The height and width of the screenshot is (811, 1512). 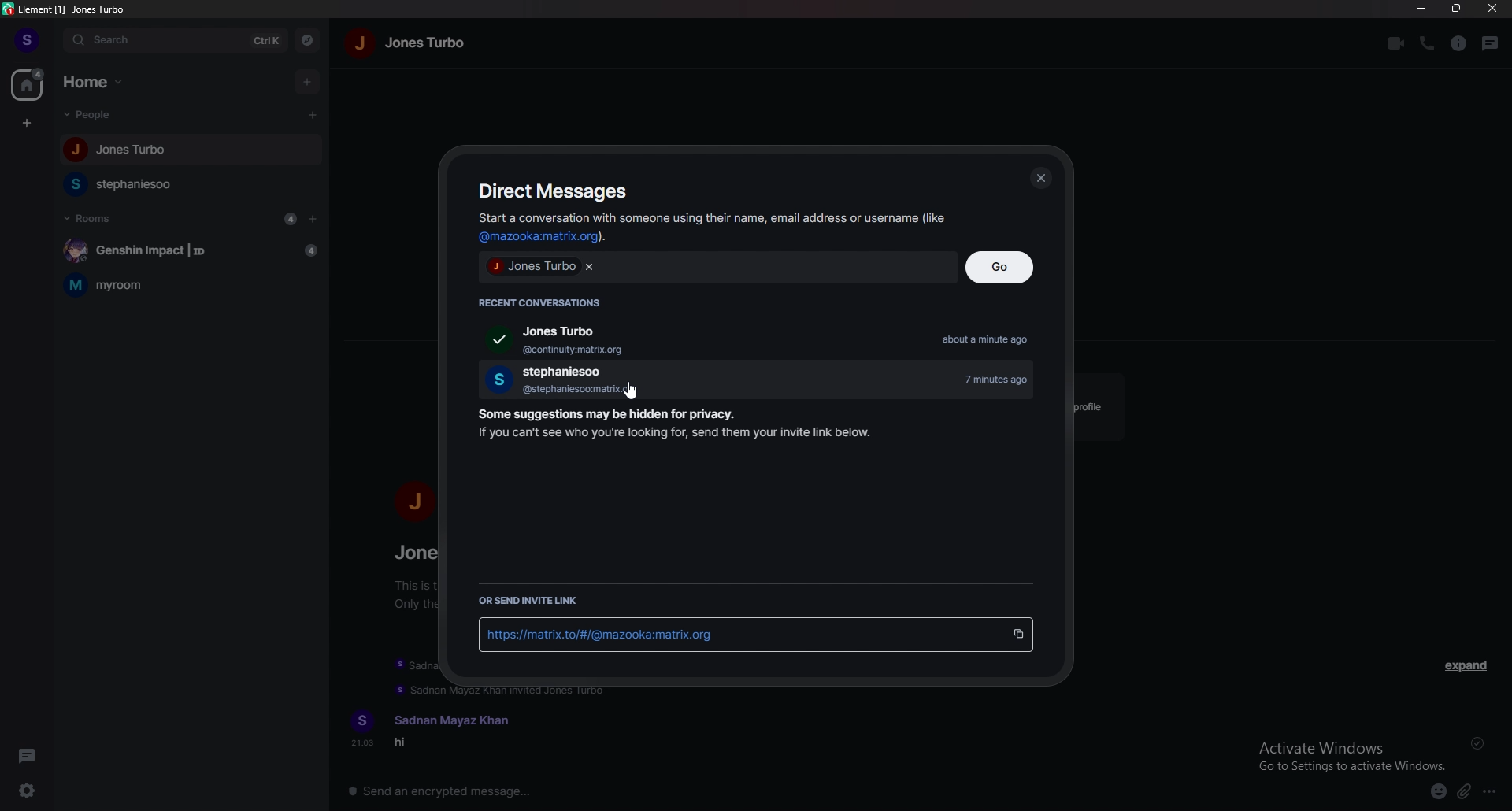 I want to click on video call, so click(x=1394, y=44).